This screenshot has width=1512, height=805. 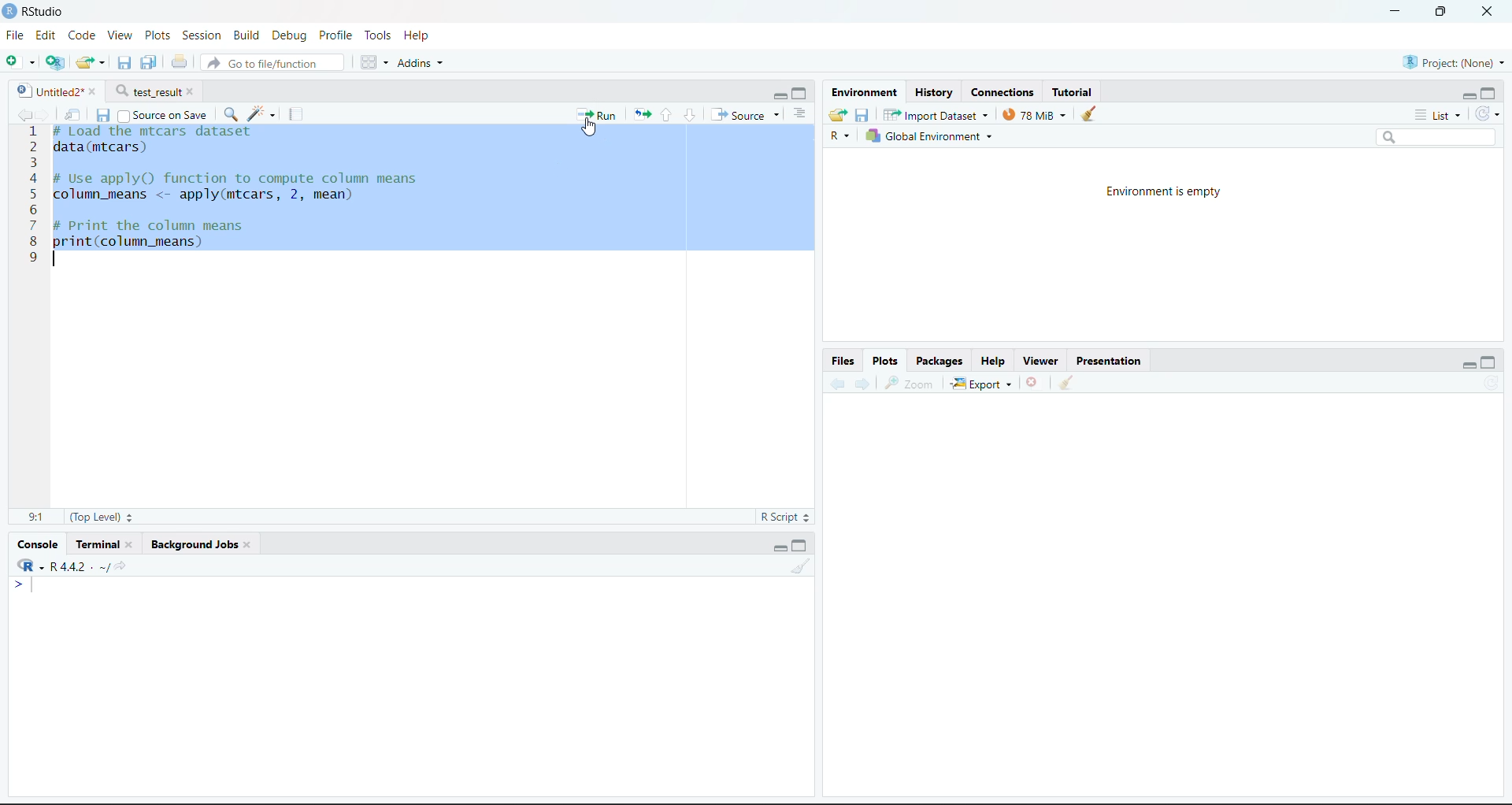 What do you see at coordinates (43, 34) in the screenshot?
I see `Edit` at bounding box center [43, 34].